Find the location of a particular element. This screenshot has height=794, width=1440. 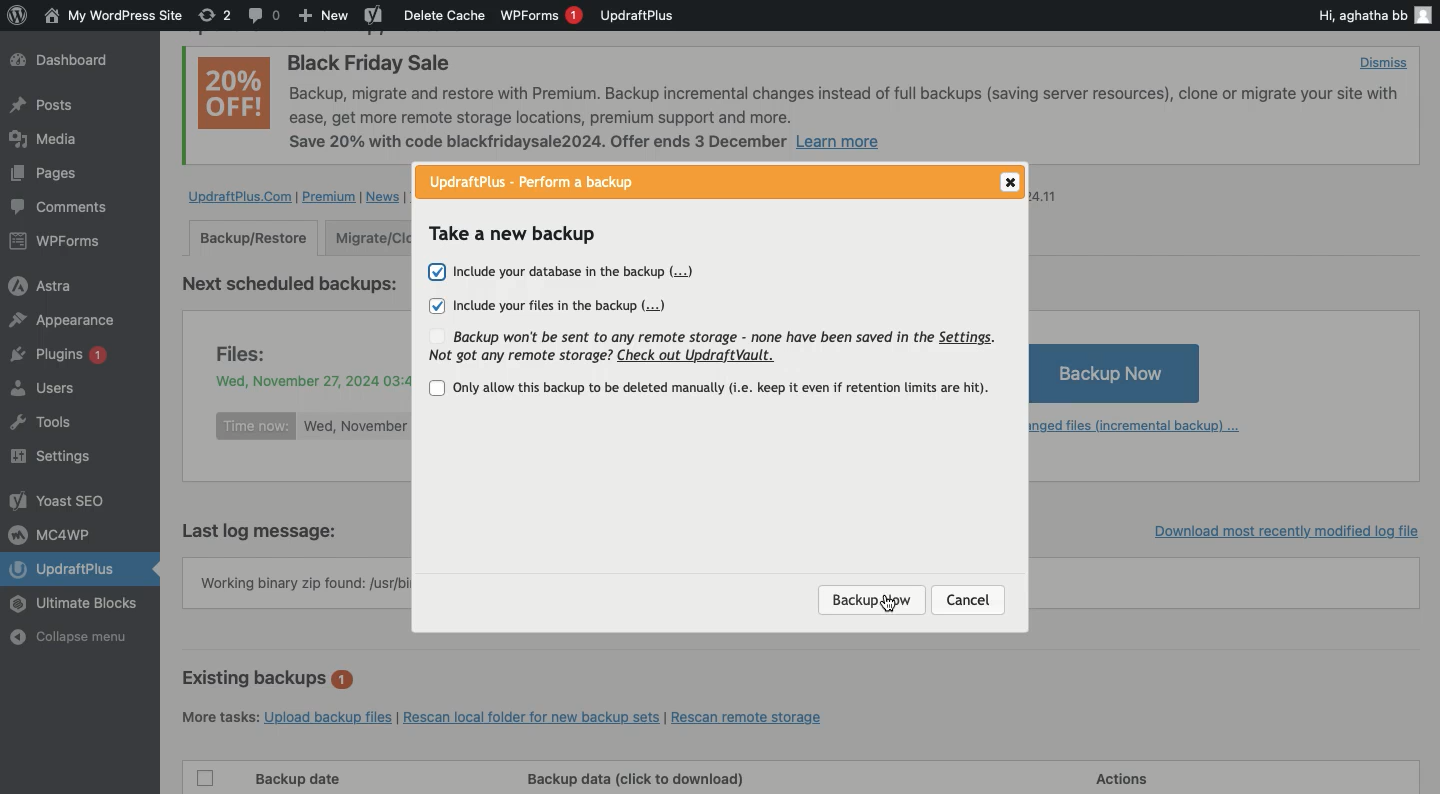

Users is located at coordinates (63, 391).